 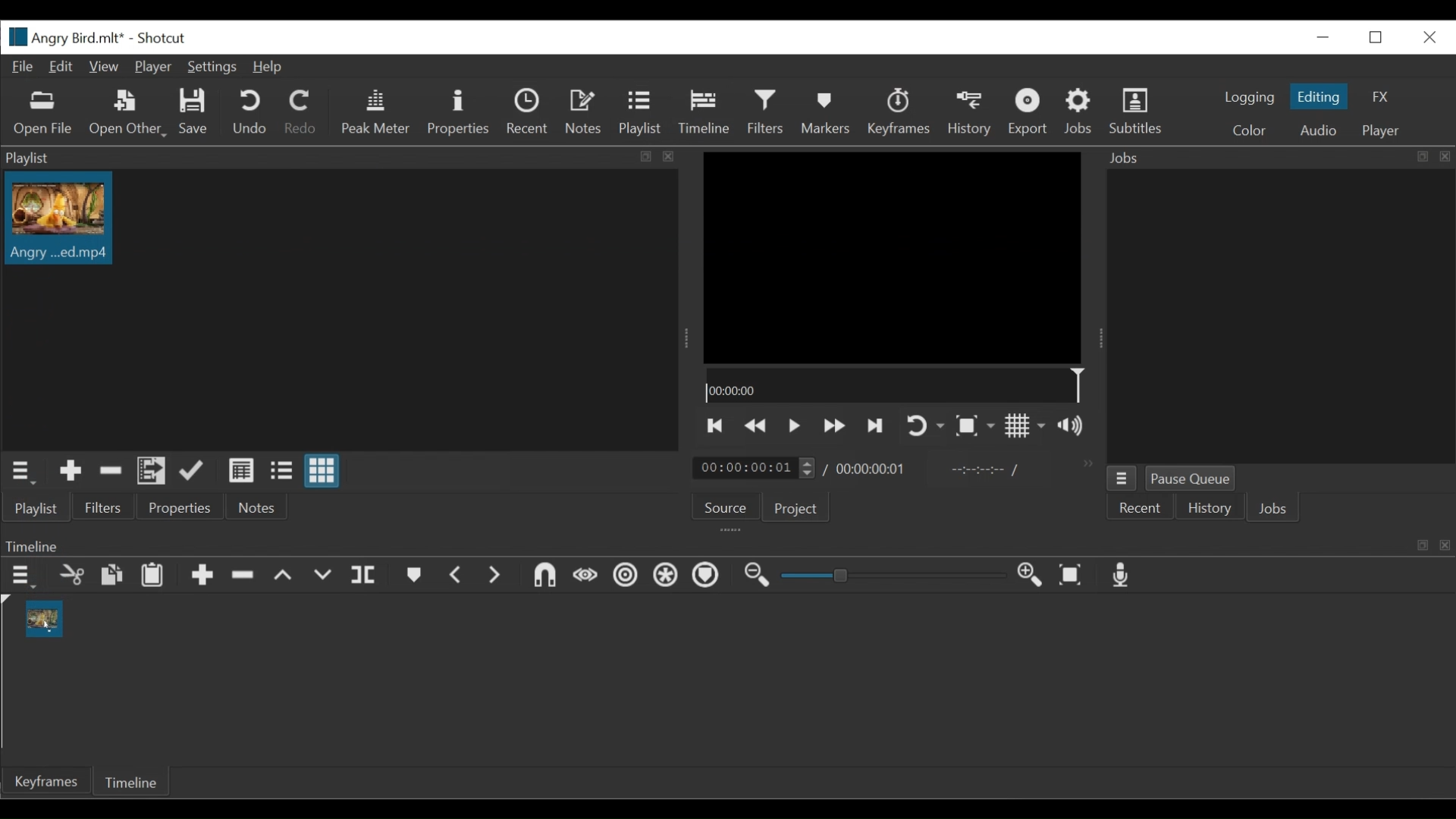 I want to click on logging, so click(x=1247, y=99).